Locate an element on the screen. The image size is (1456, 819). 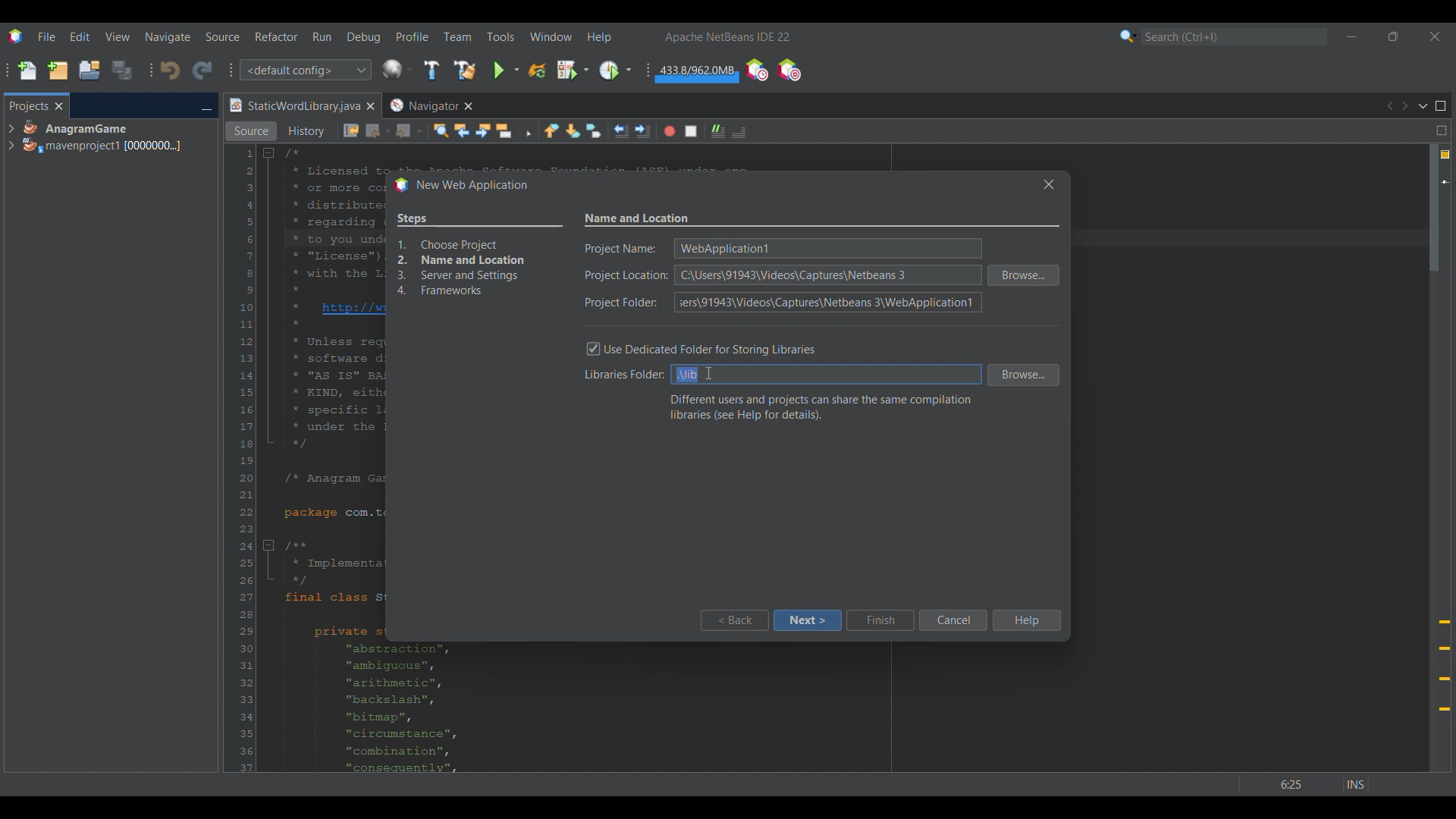
Settings name is located at coordinates (638, 219).